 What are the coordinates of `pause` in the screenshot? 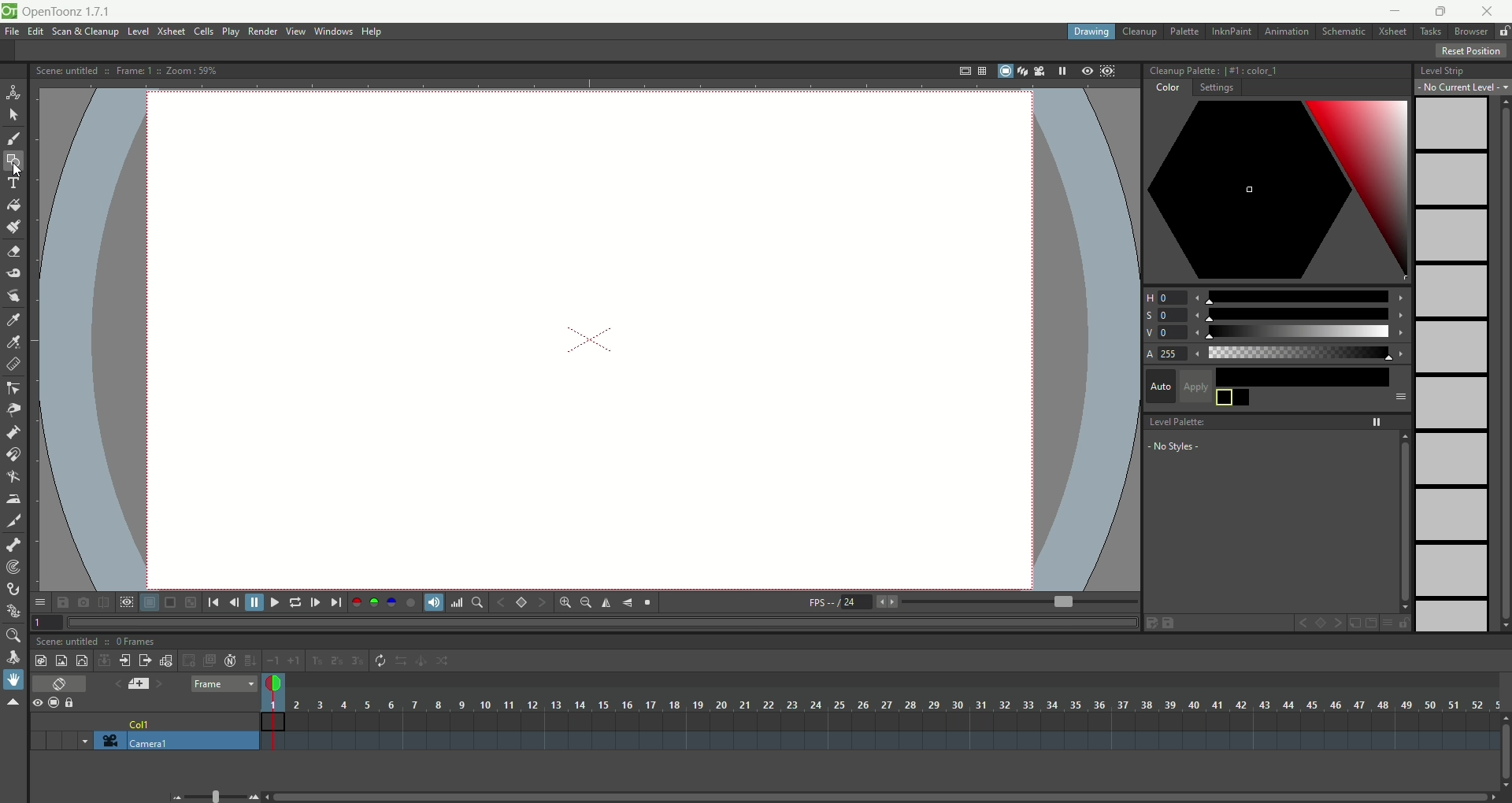 It's located at (254, 602).